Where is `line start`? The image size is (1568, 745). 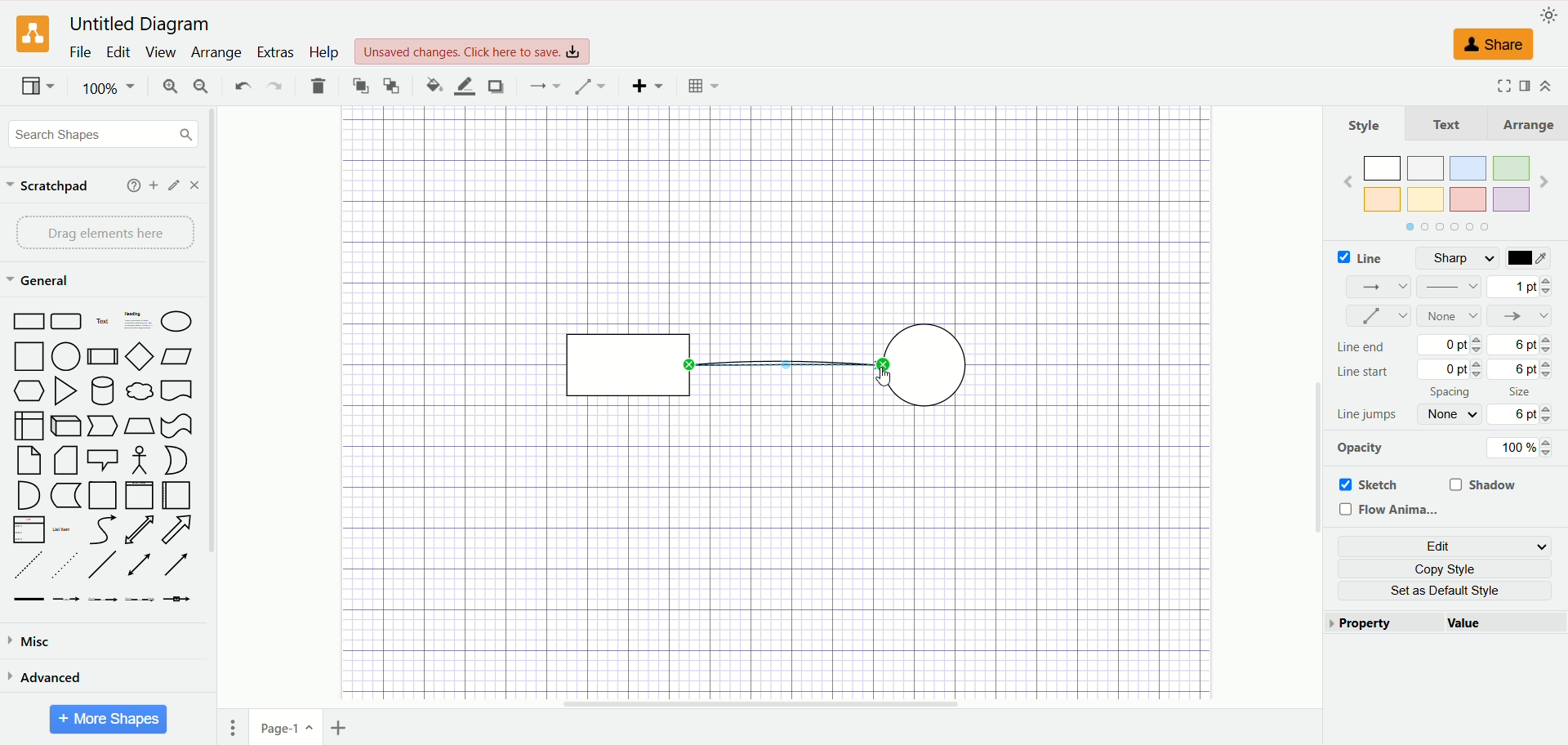 line start is located at coordinates (1365, 372).